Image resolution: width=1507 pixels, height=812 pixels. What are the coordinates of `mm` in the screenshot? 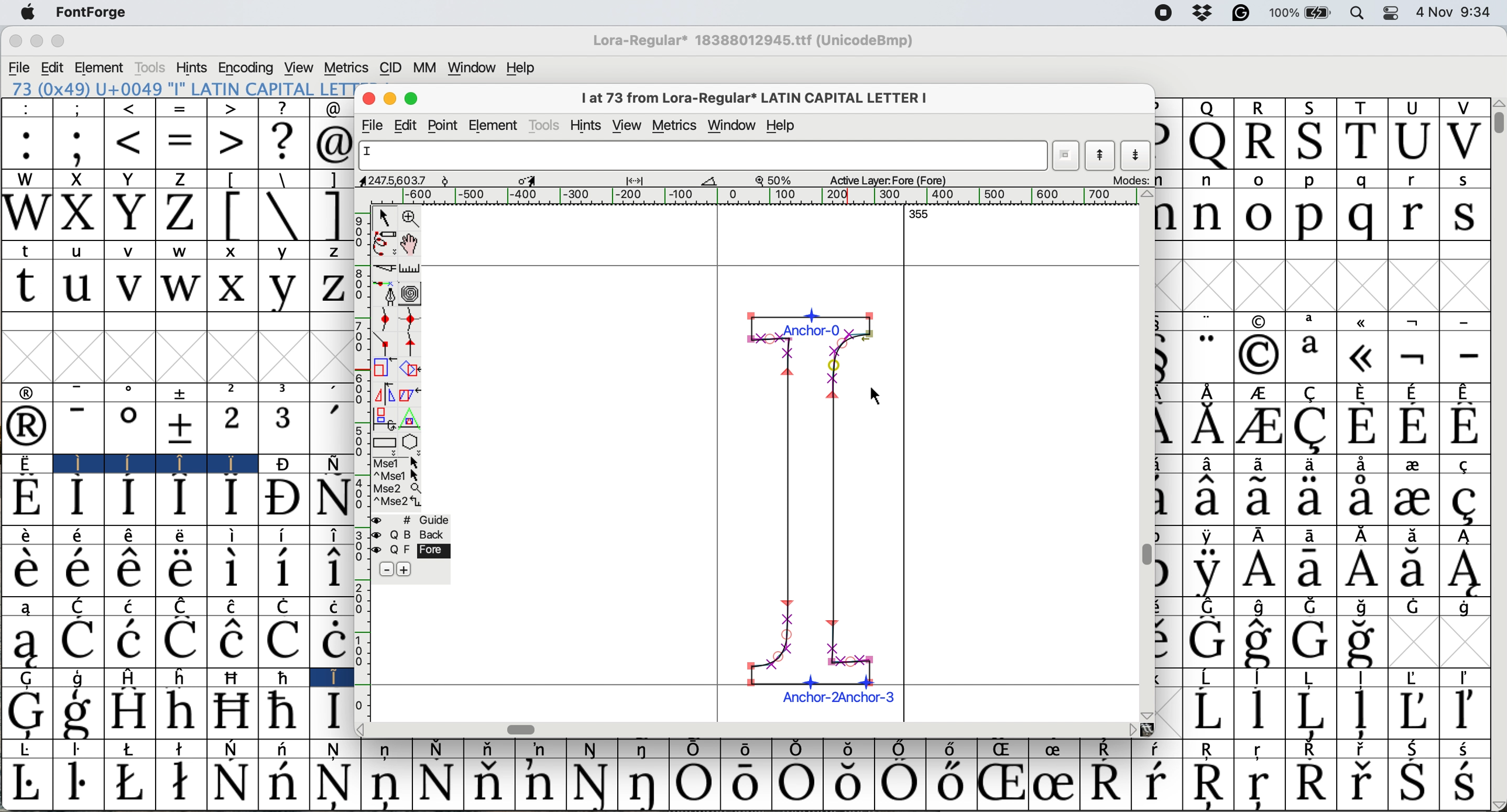 It's located at (423, 67).